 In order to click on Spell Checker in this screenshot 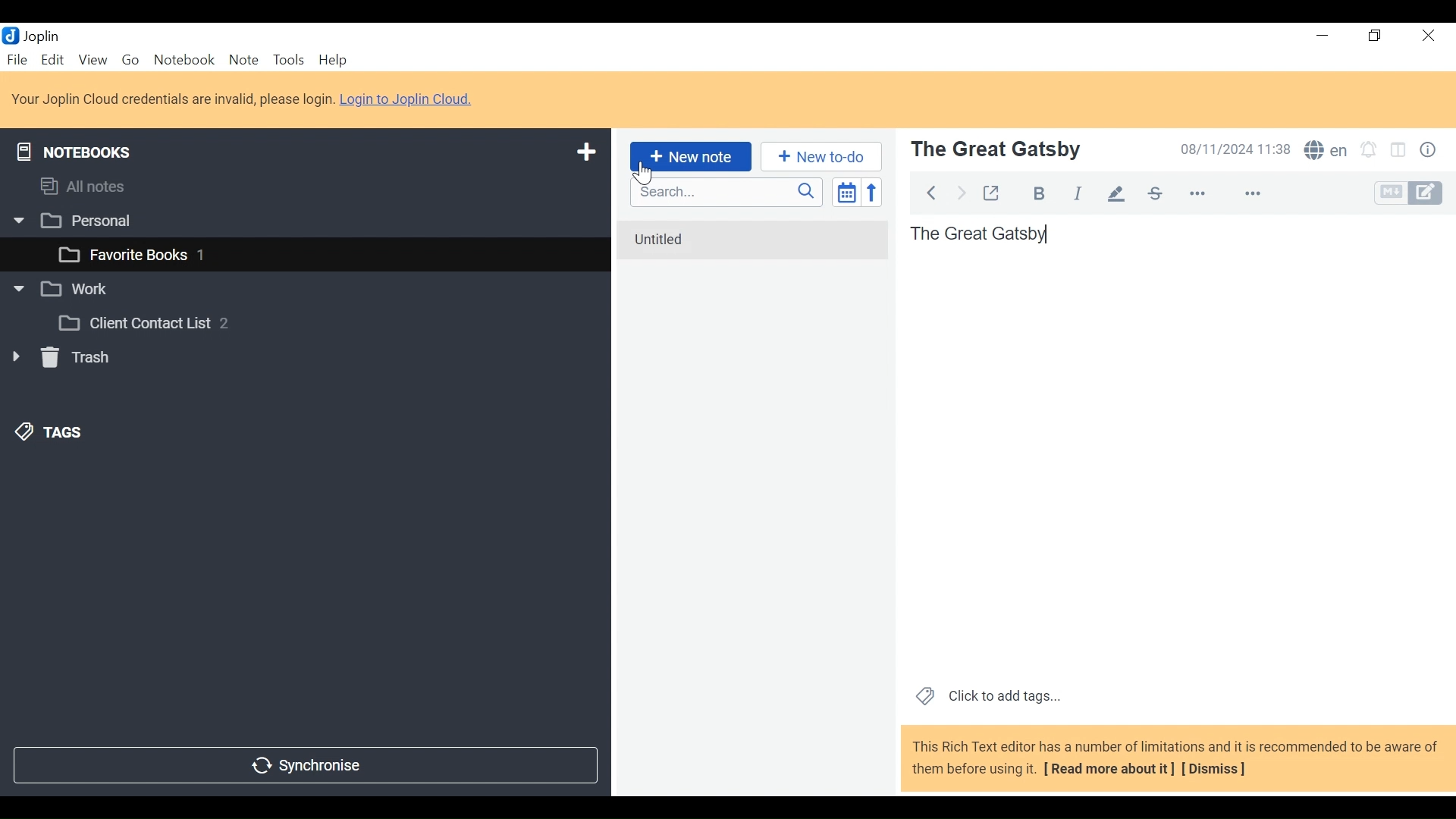, I will do `click(1326, 152)`.